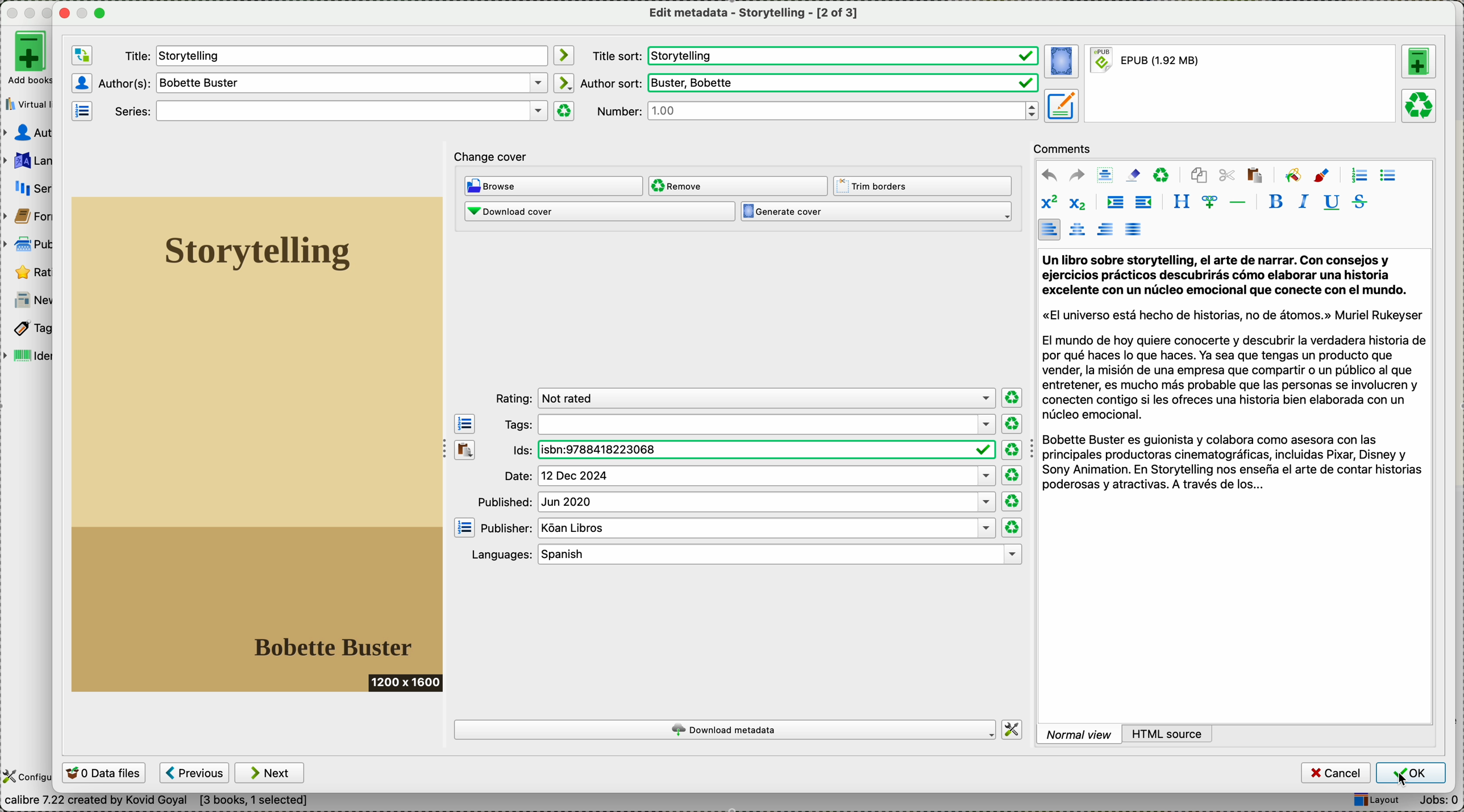 The image size is (1464, 812). I want to click on increase indentation, so click(1113, 203).